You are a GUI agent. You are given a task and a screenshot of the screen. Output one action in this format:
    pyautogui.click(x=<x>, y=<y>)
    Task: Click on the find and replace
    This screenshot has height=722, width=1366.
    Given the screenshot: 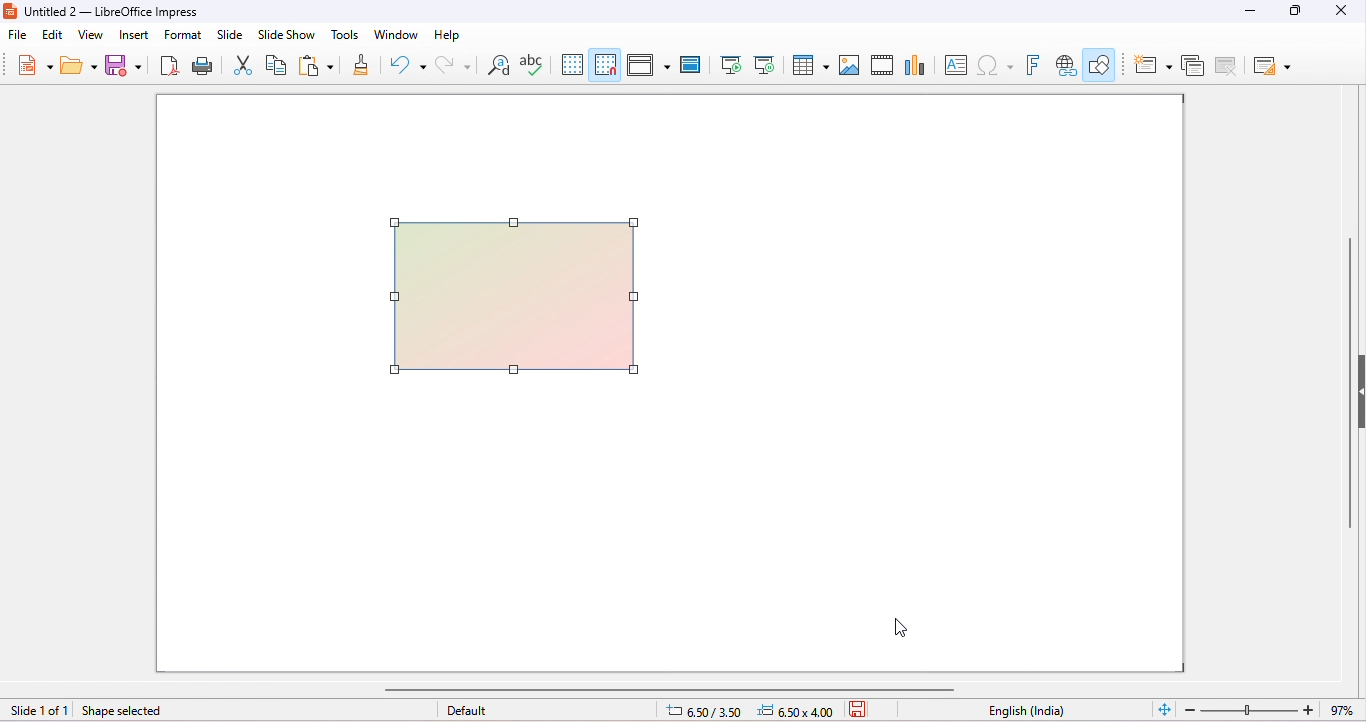 What is the action you would take?
    pyautogui.click(x=500, y=65)
    